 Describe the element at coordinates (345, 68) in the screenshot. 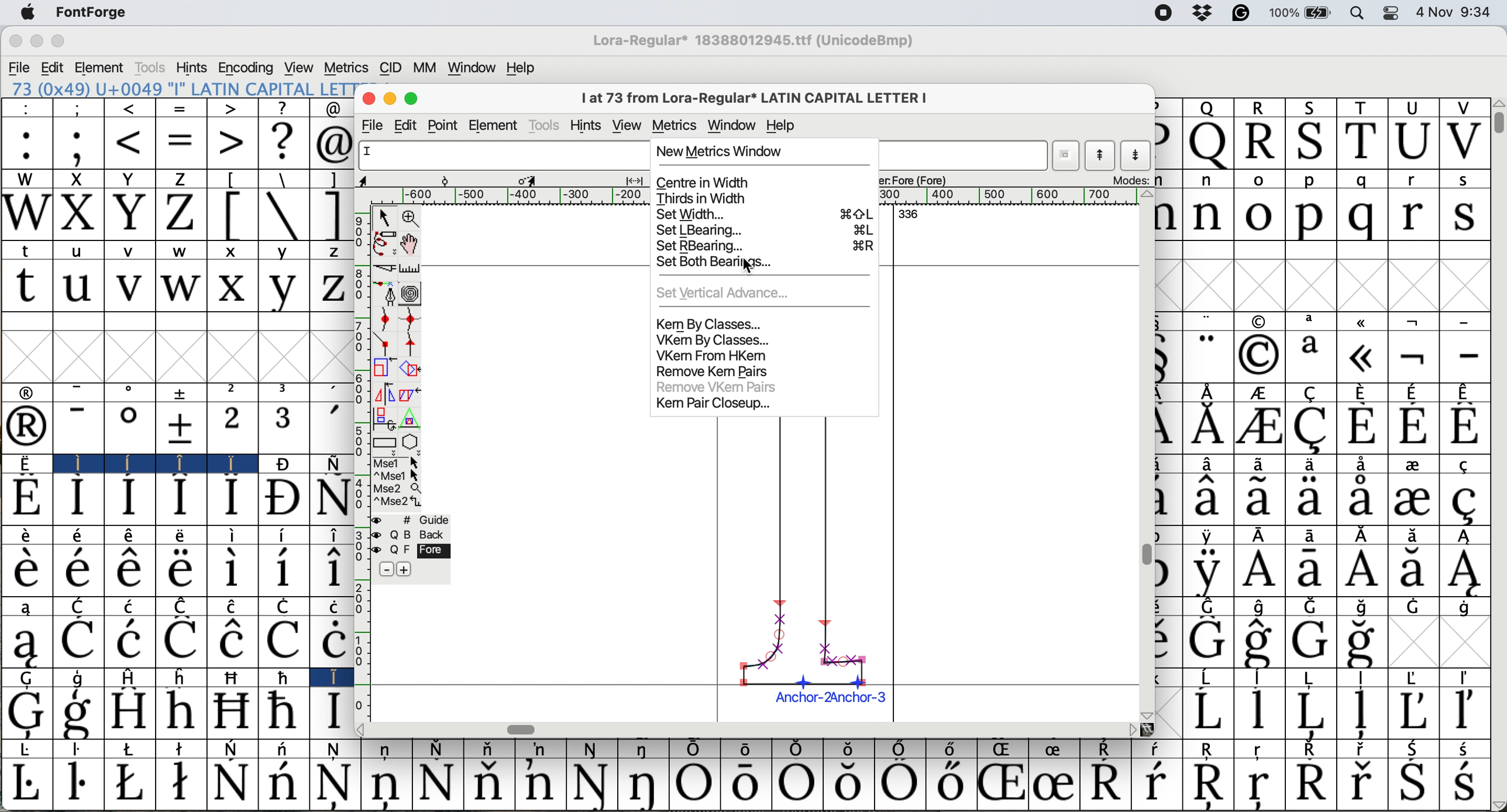

I see `metrics` at that location.